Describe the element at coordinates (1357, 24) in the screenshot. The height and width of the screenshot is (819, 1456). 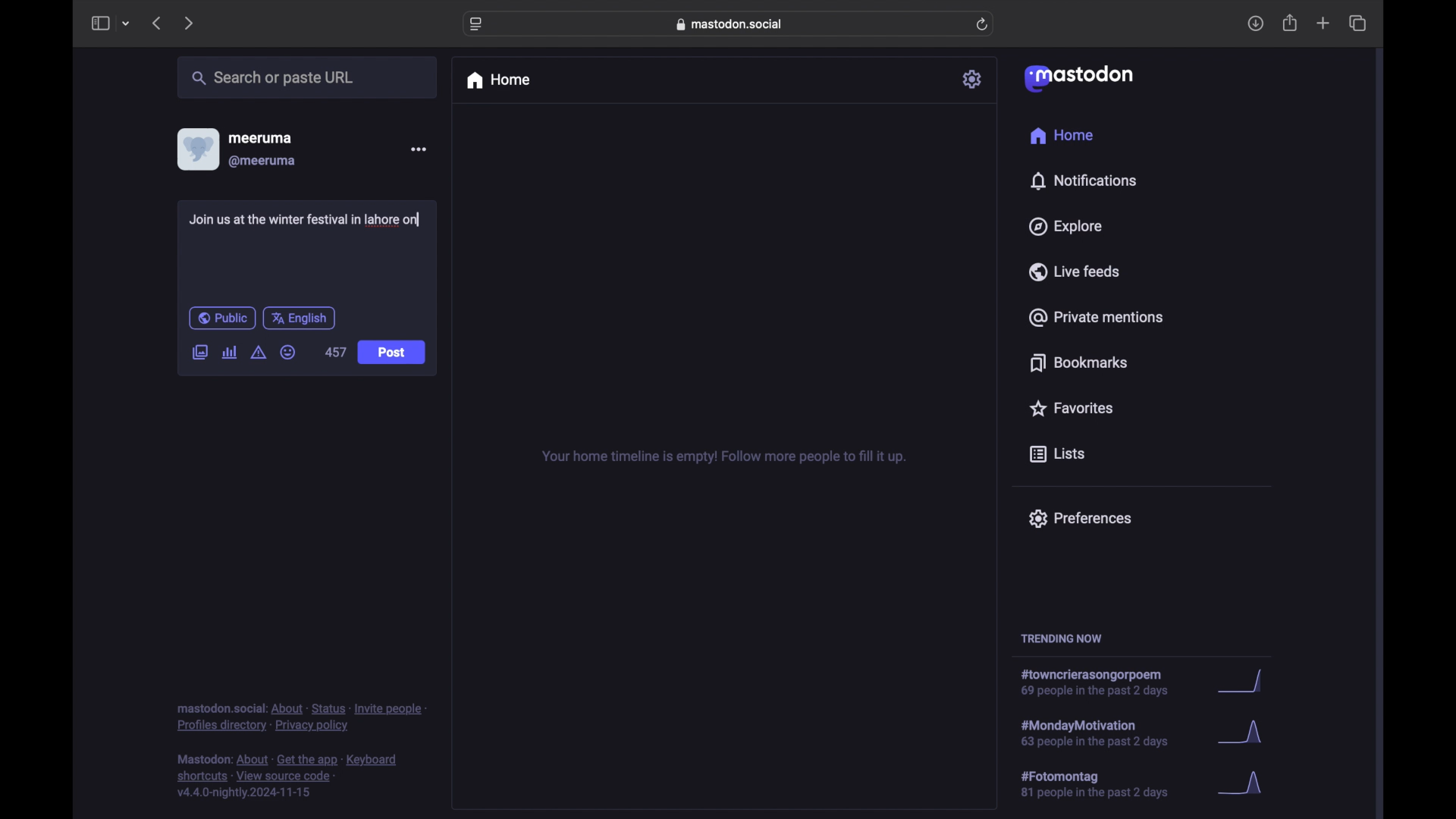
I see `show tab overview` at that location.